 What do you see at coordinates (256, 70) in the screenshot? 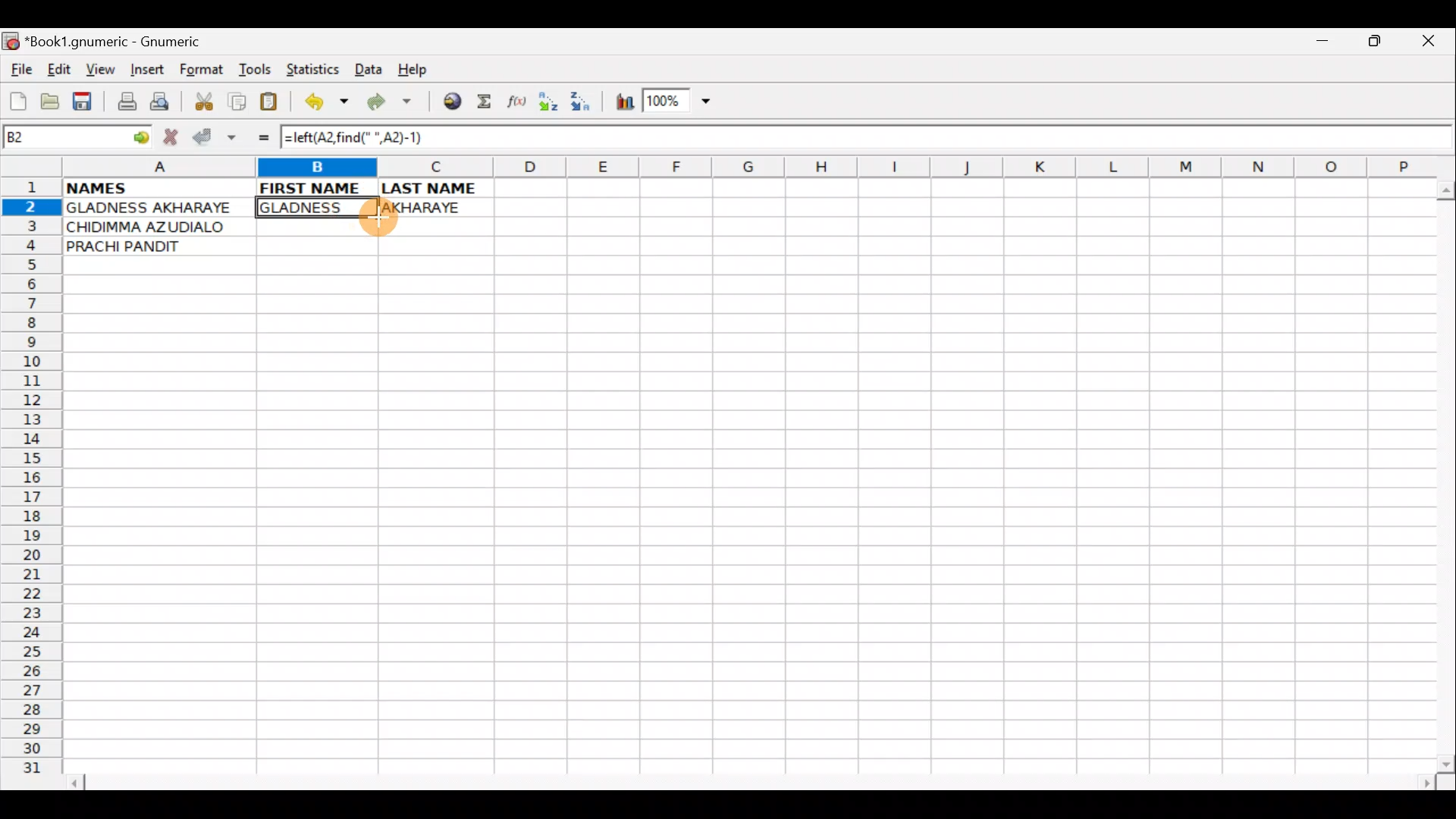
I see `Tools` at bounding box center [256, 70].